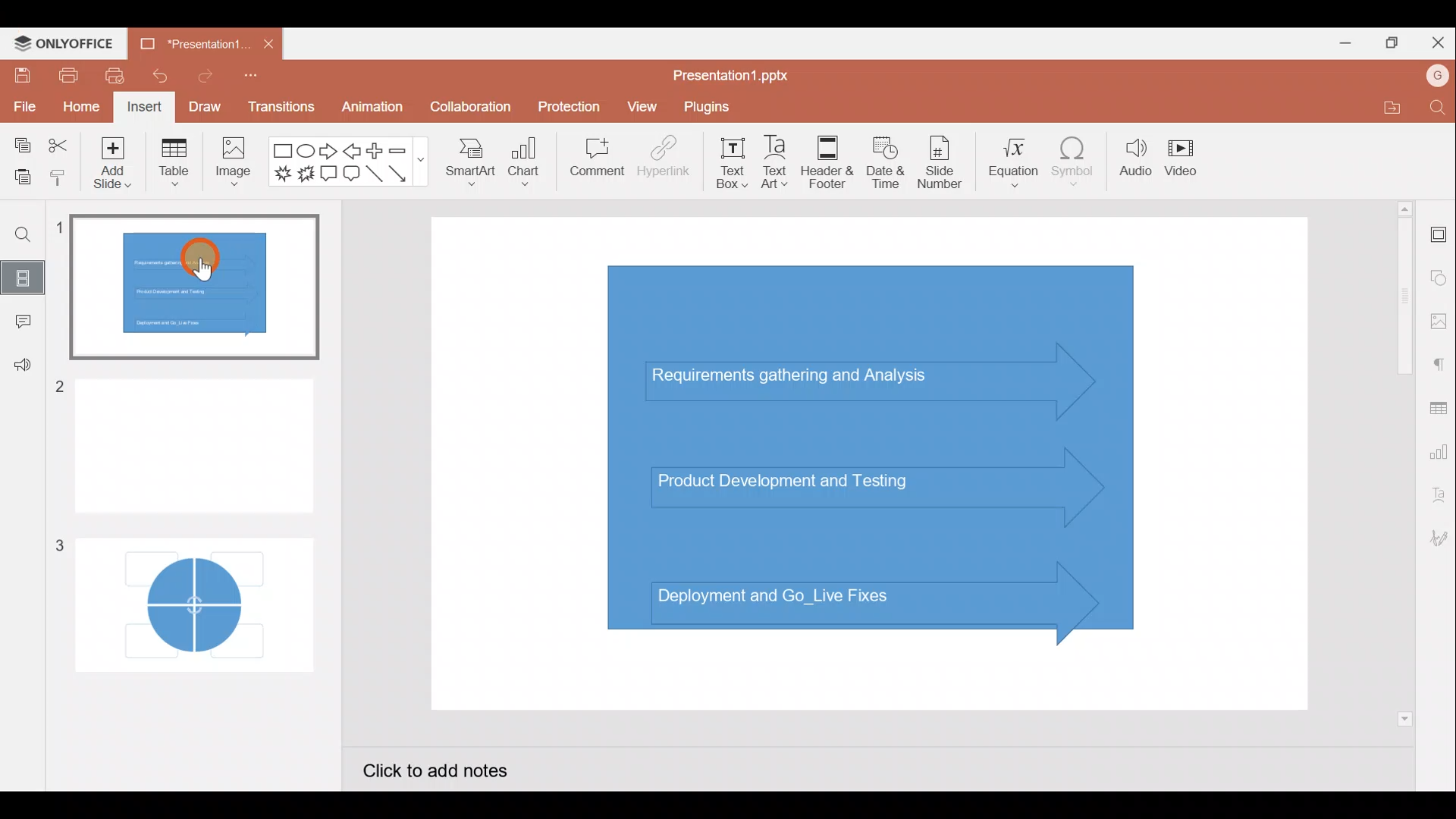 The image size is (1456, 819). What do you see at coordinates (20, 174) in the screenshot?
I see `Paste` at bounding box center [20, 174].